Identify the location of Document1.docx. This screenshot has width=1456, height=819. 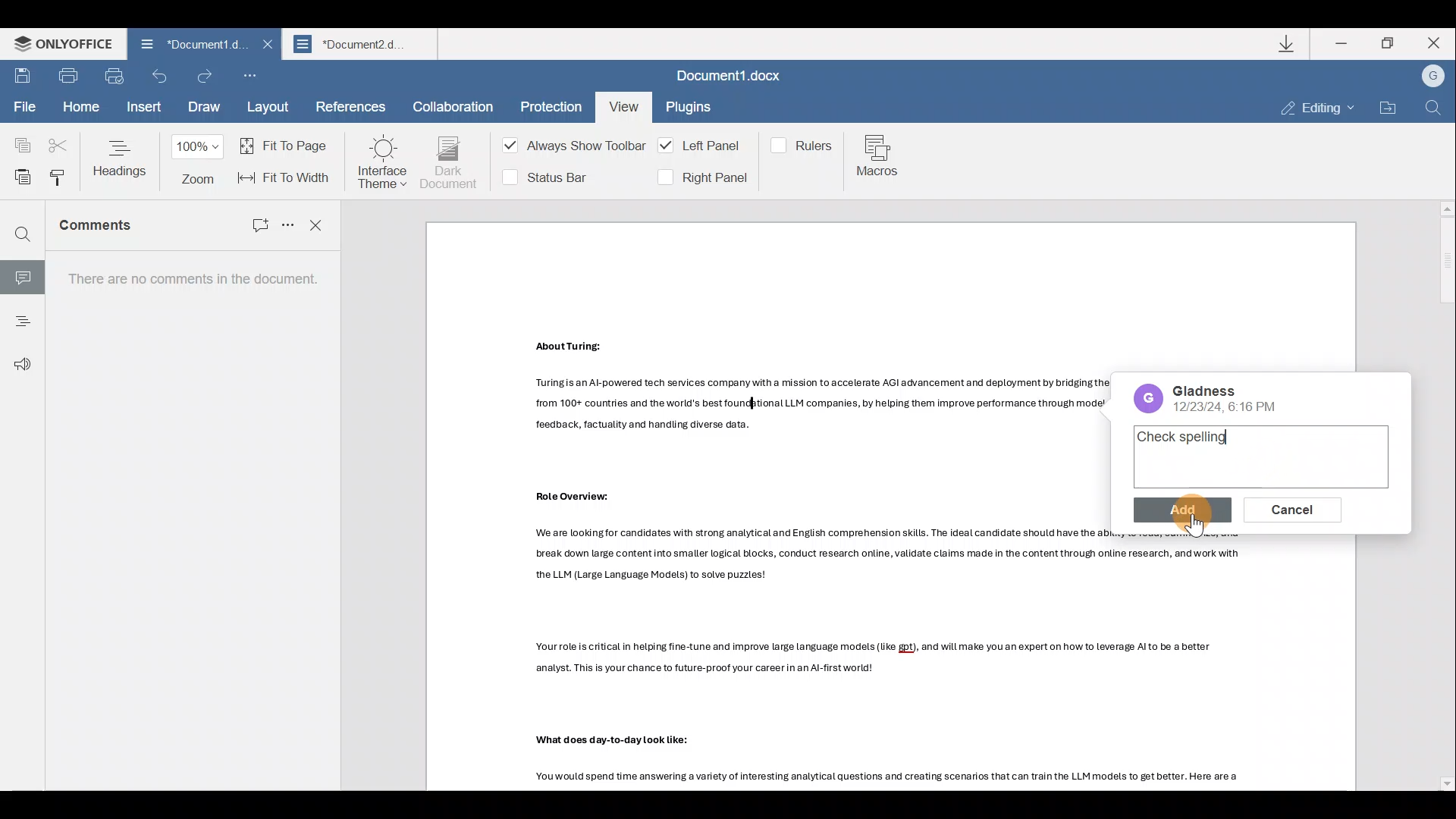
(733, 78).